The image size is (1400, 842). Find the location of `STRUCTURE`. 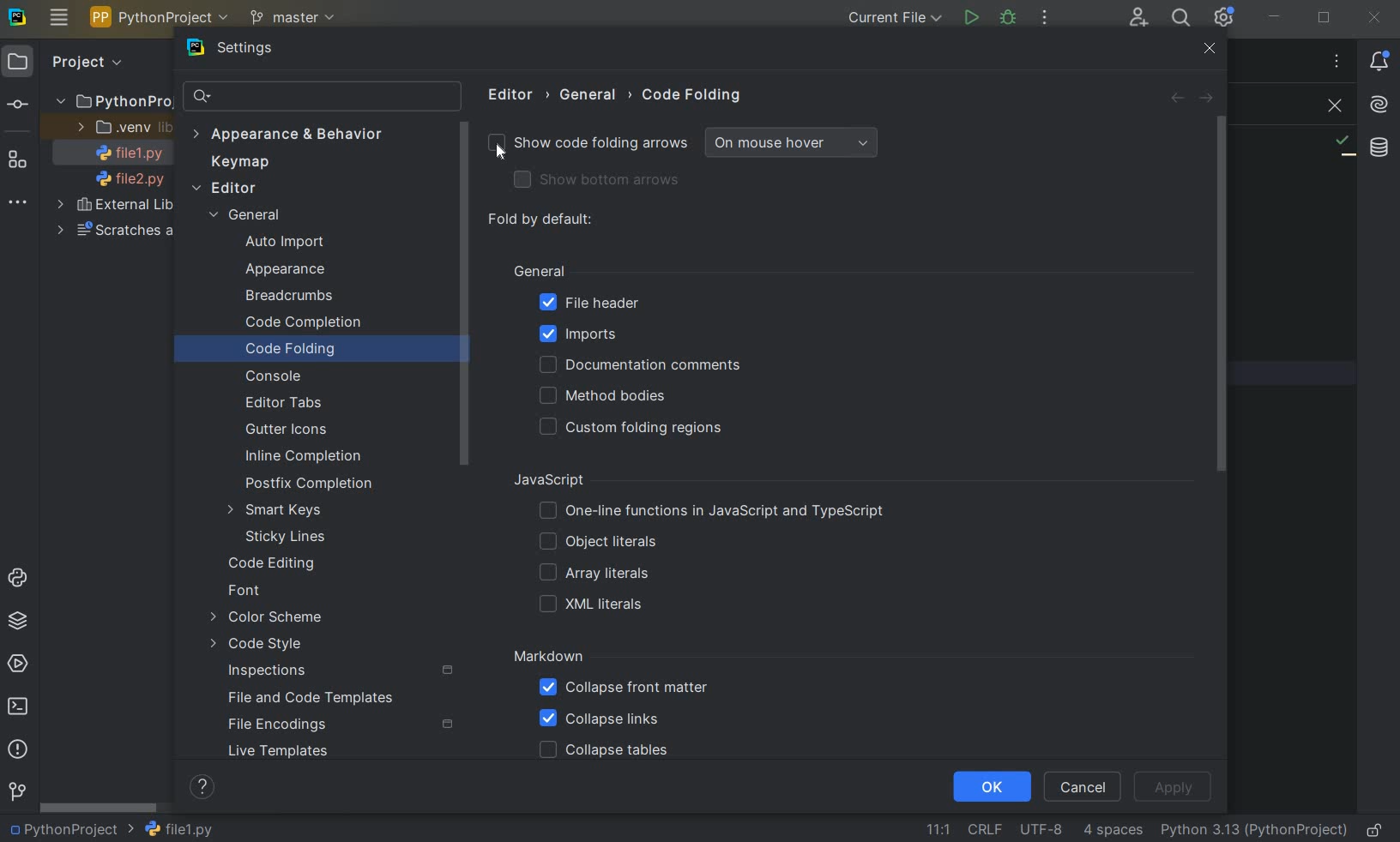

STRUCTURE is located at coordinates (19, 161).